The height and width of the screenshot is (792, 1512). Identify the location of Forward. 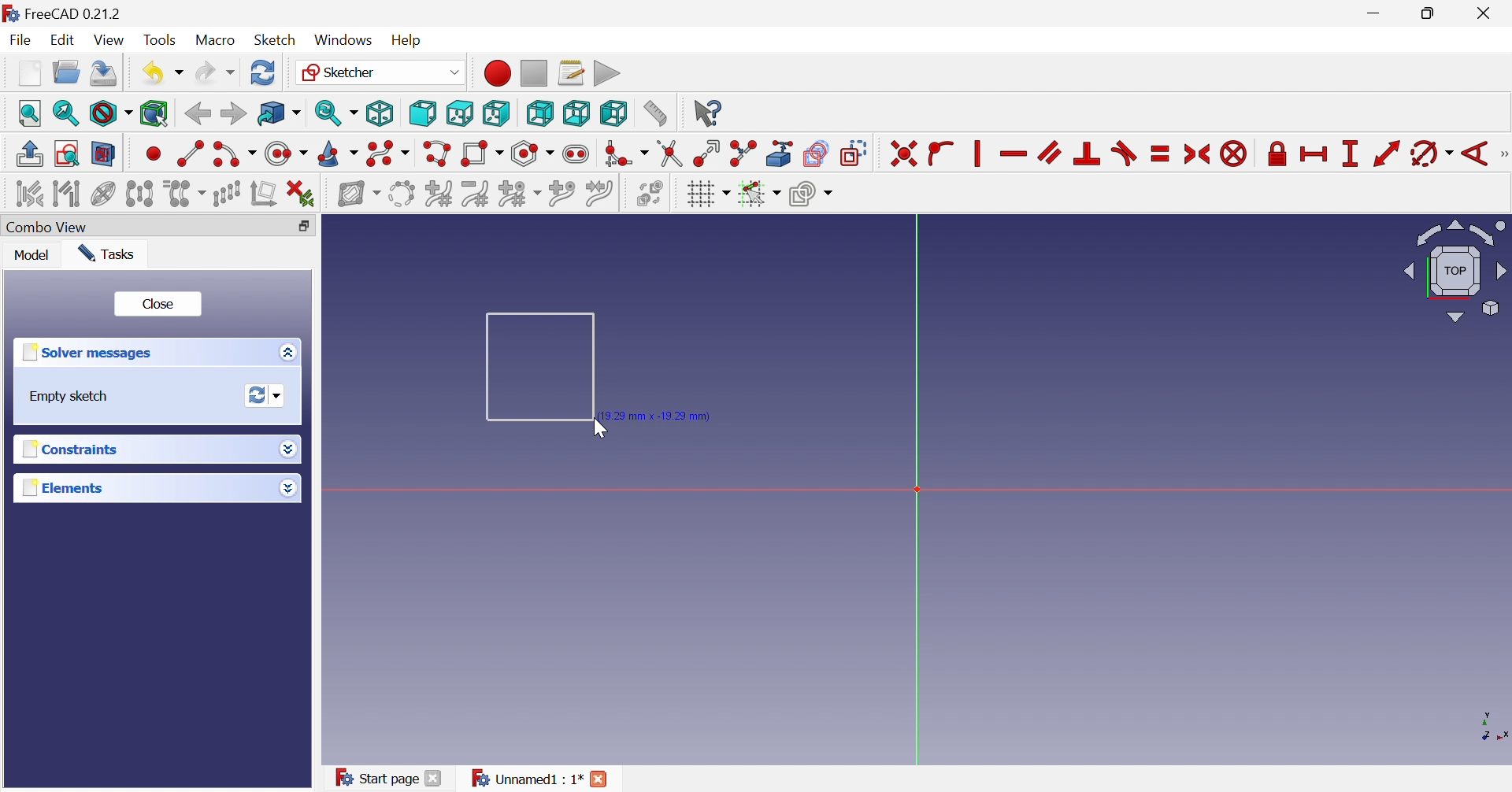
(232, 113).